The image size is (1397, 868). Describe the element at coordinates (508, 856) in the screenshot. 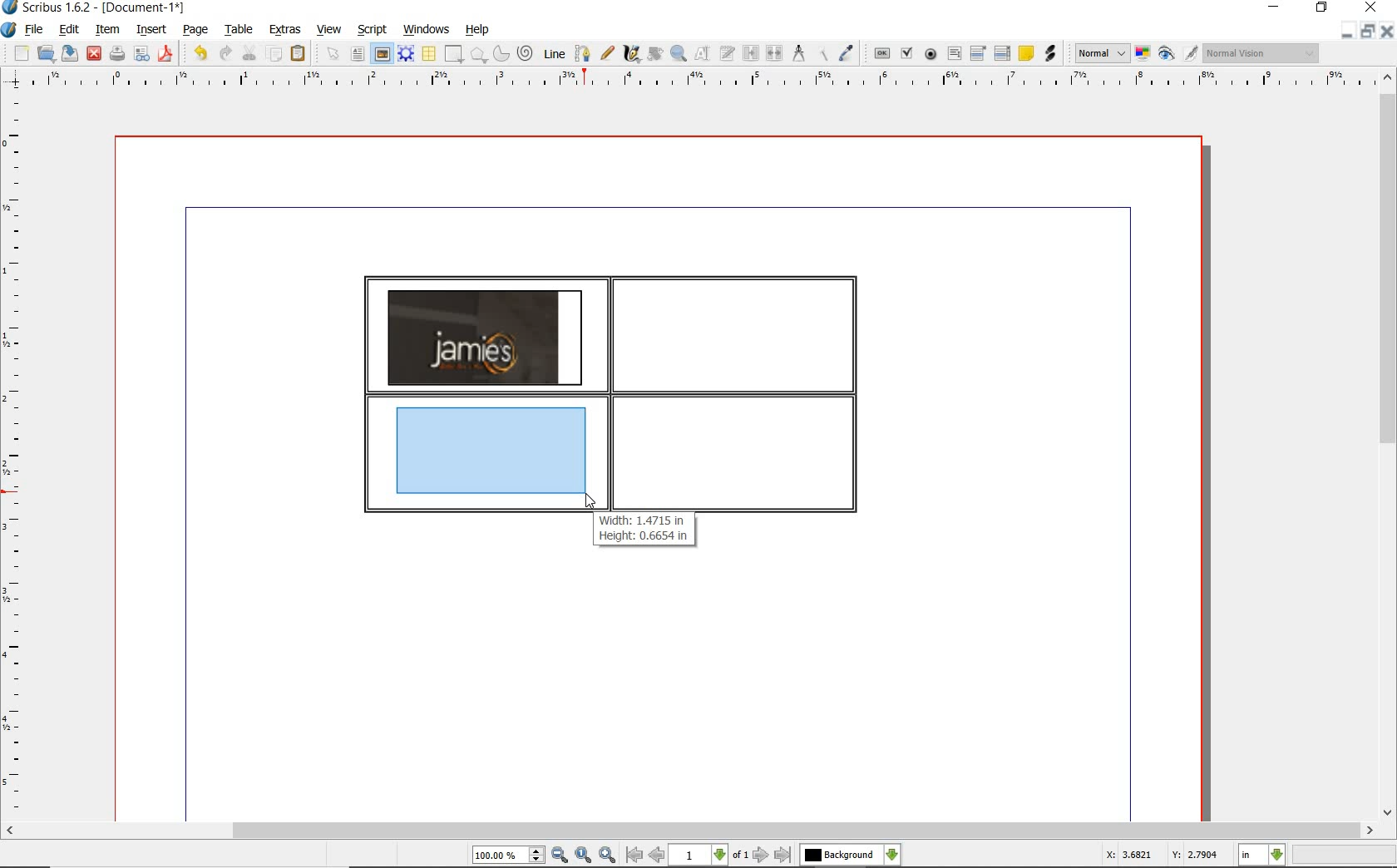

I see `select current zoom level` at that location.